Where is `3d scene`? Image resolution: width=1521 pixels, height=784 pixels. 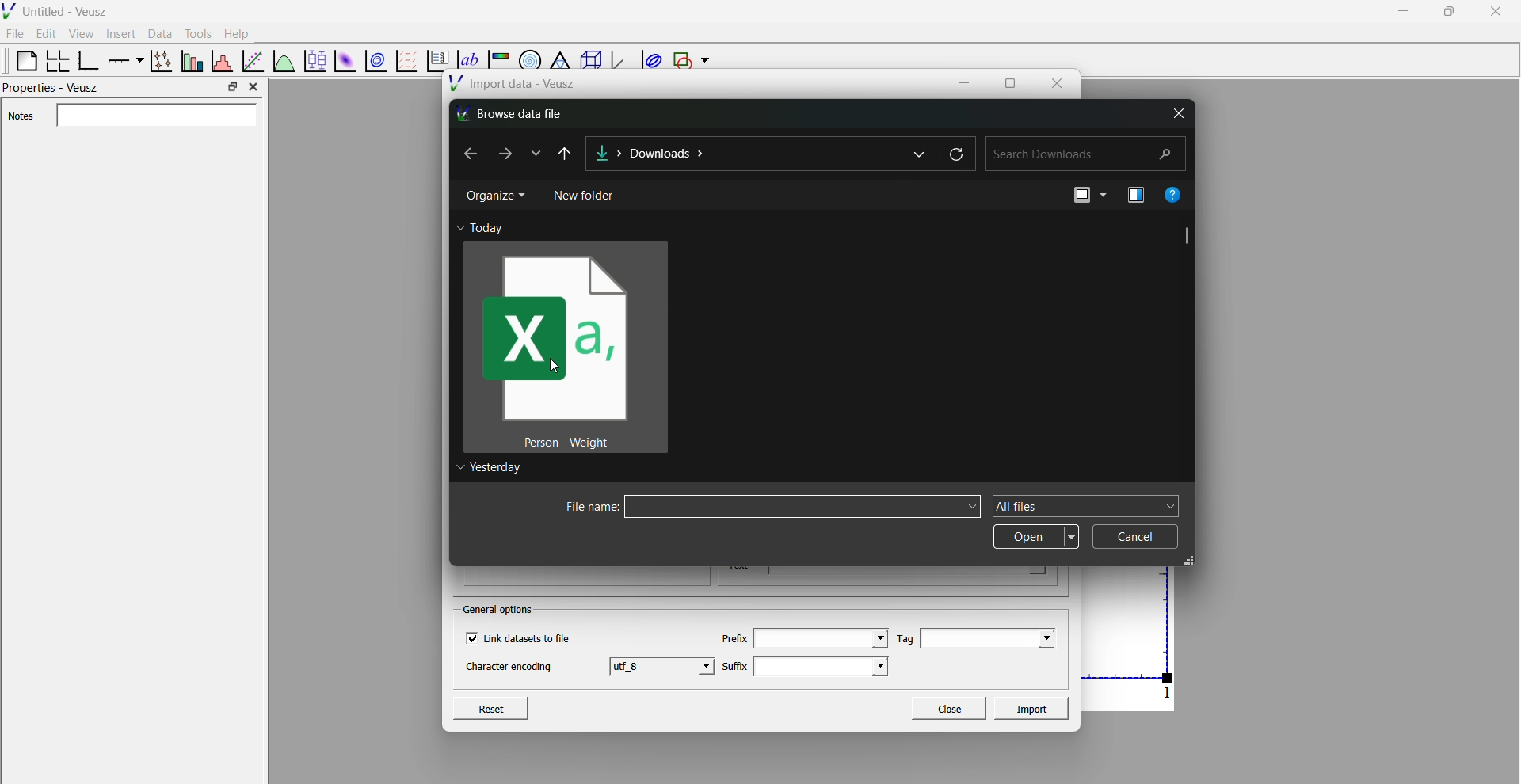
3d scene is located at coordinates (588, 62).